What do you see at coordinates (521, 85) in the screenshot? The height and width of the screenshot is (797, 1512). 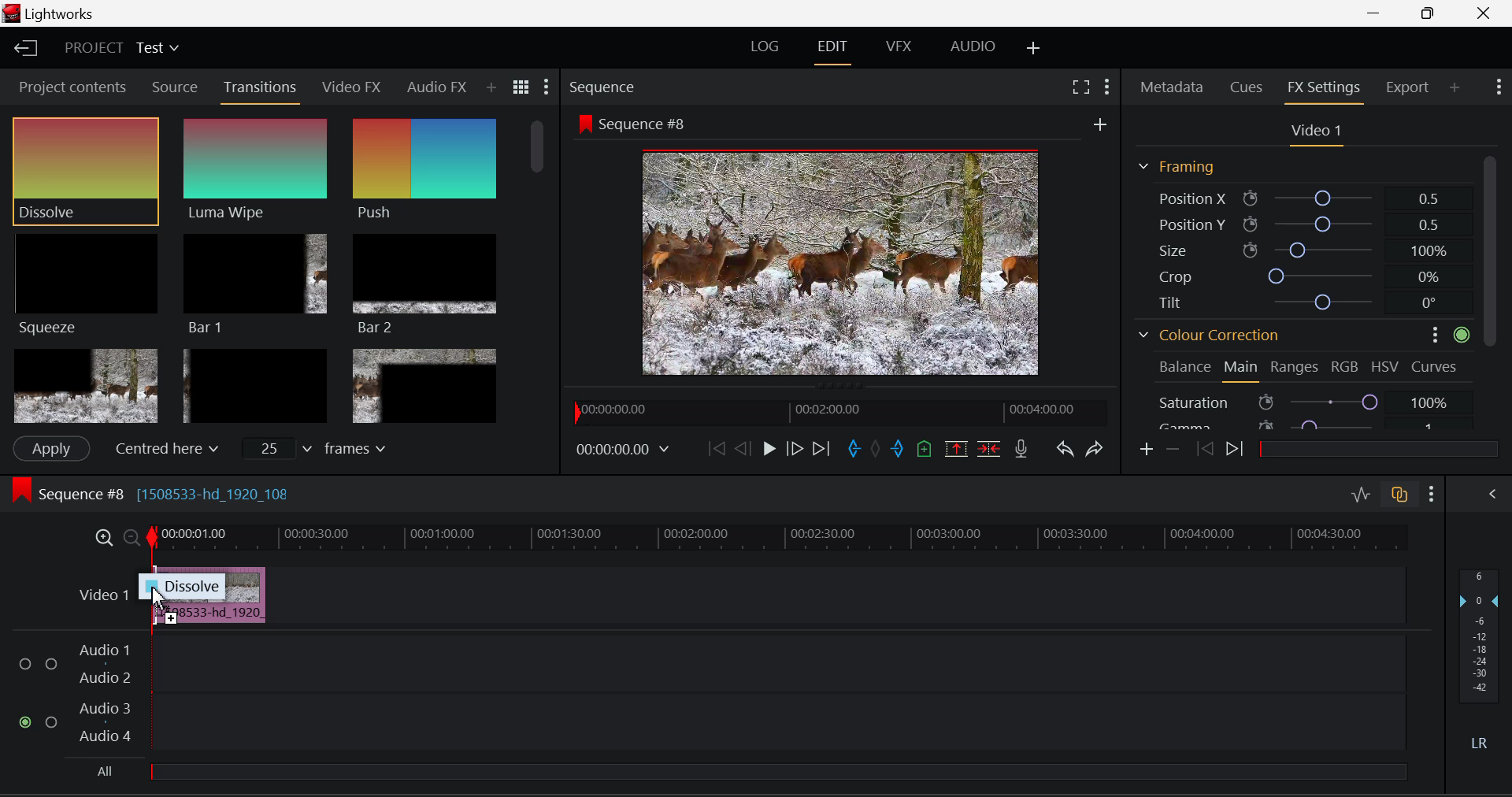 I see `Toggle between title and list view` at bounding box center [521, 85].